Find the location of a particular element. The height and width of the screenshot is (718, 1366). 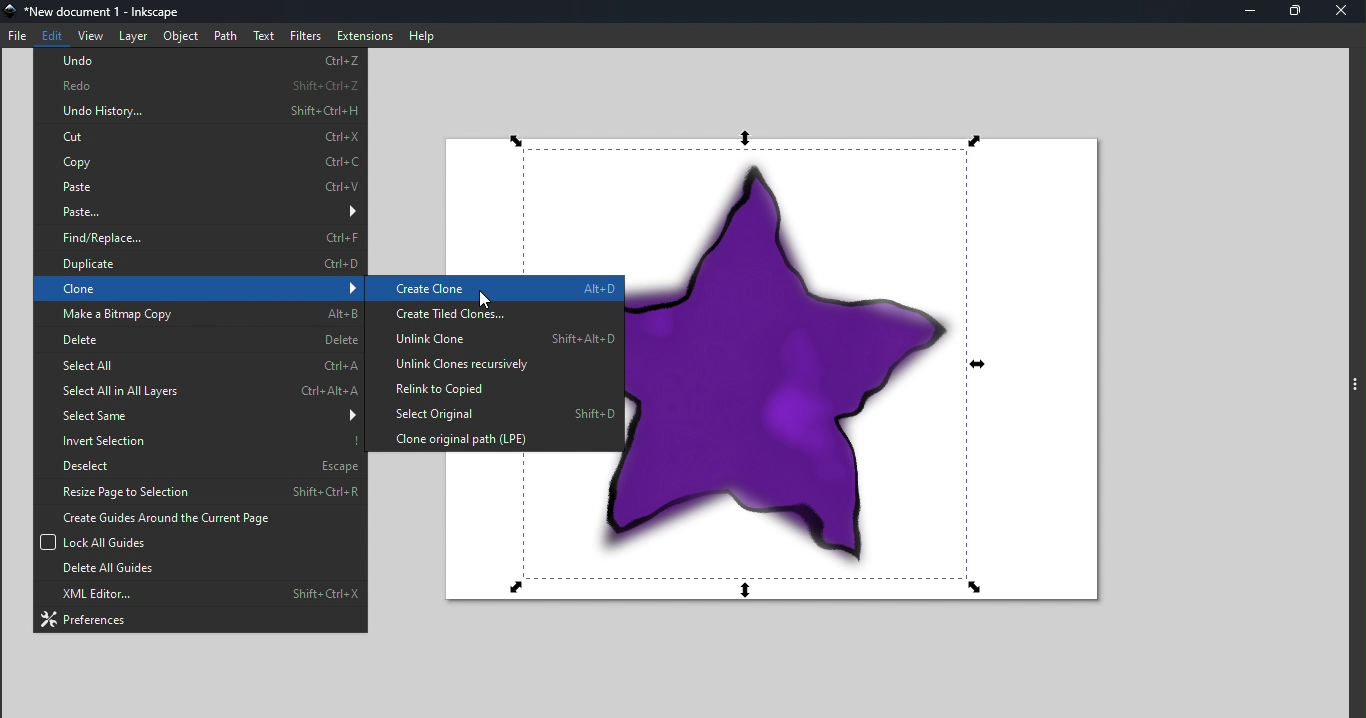

Path is located at coordinates (226, 36).